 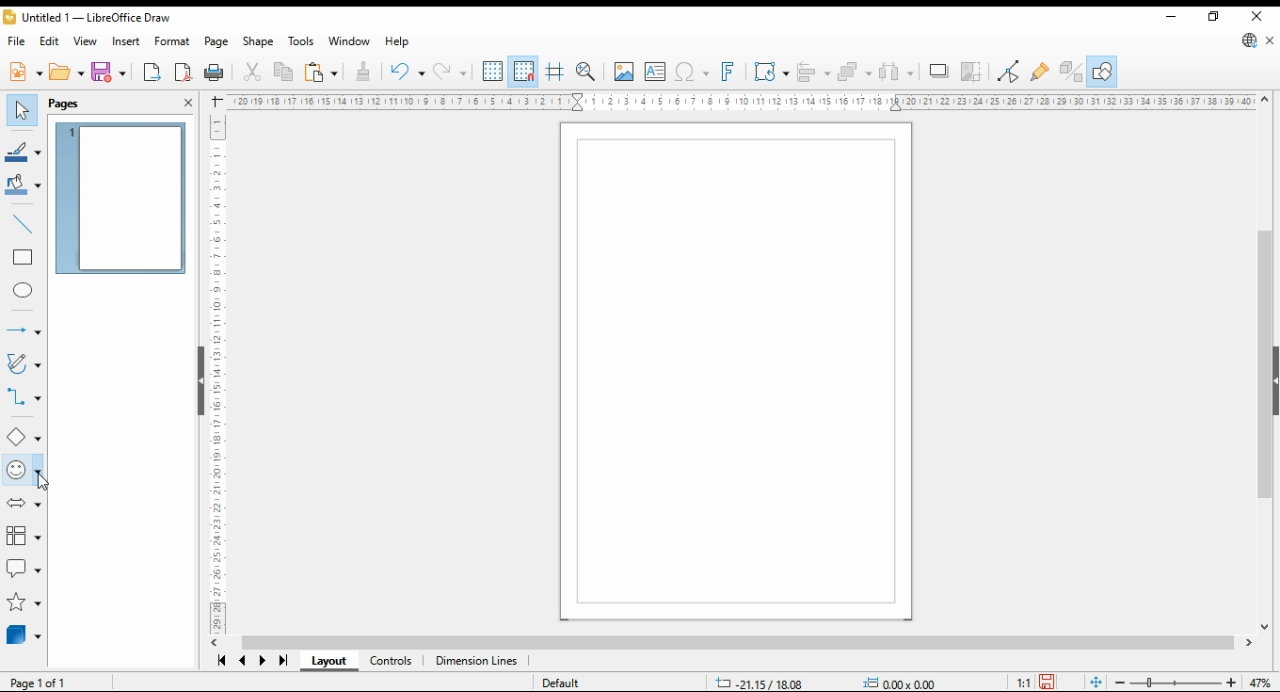 What do you see at coordinates (692, 72) in the screenshot?
I see `insert special symbol` at bounding box center [692, 72].